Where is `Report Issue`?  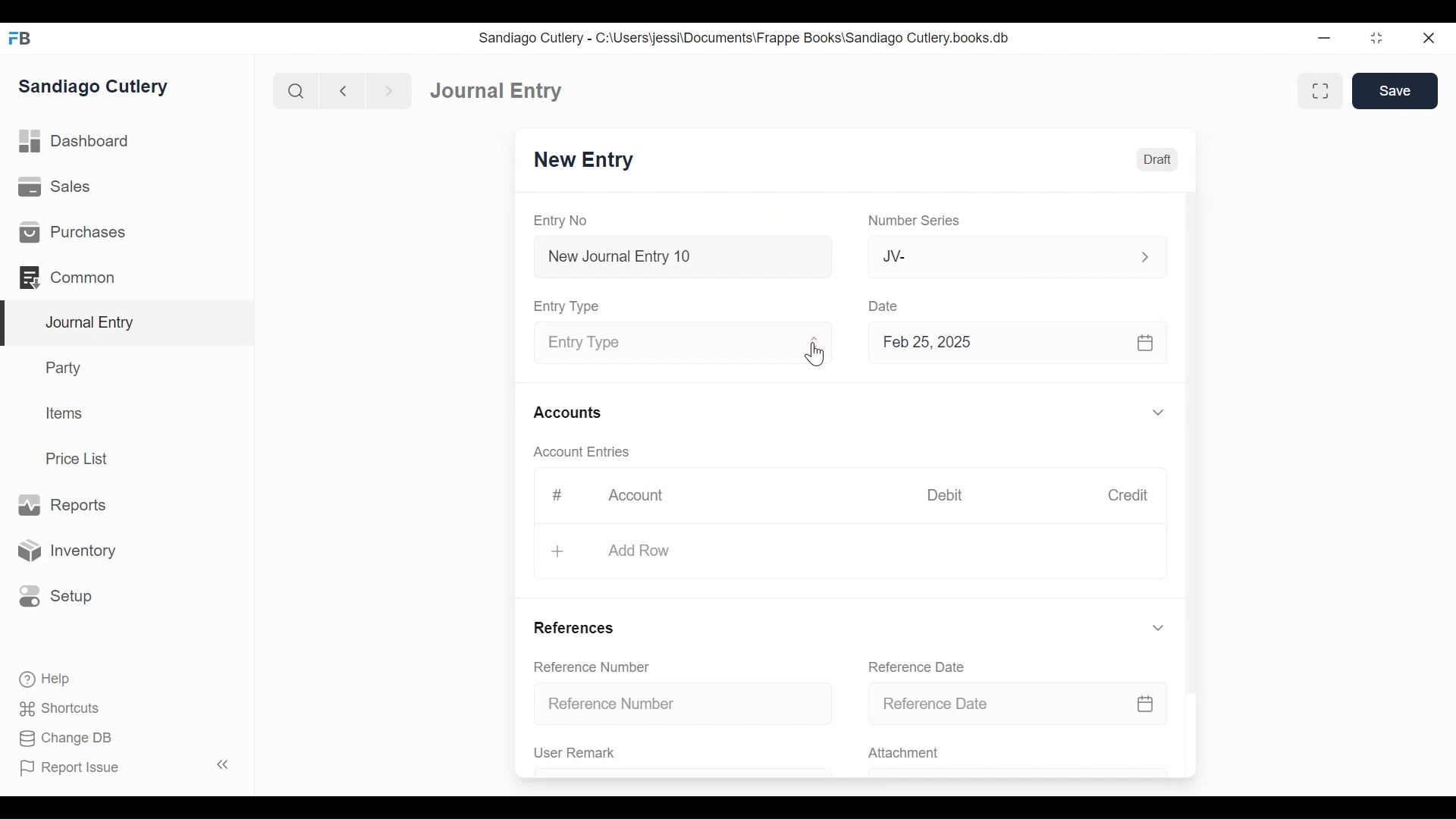
Report Issue is located at coordinates (124, 767).